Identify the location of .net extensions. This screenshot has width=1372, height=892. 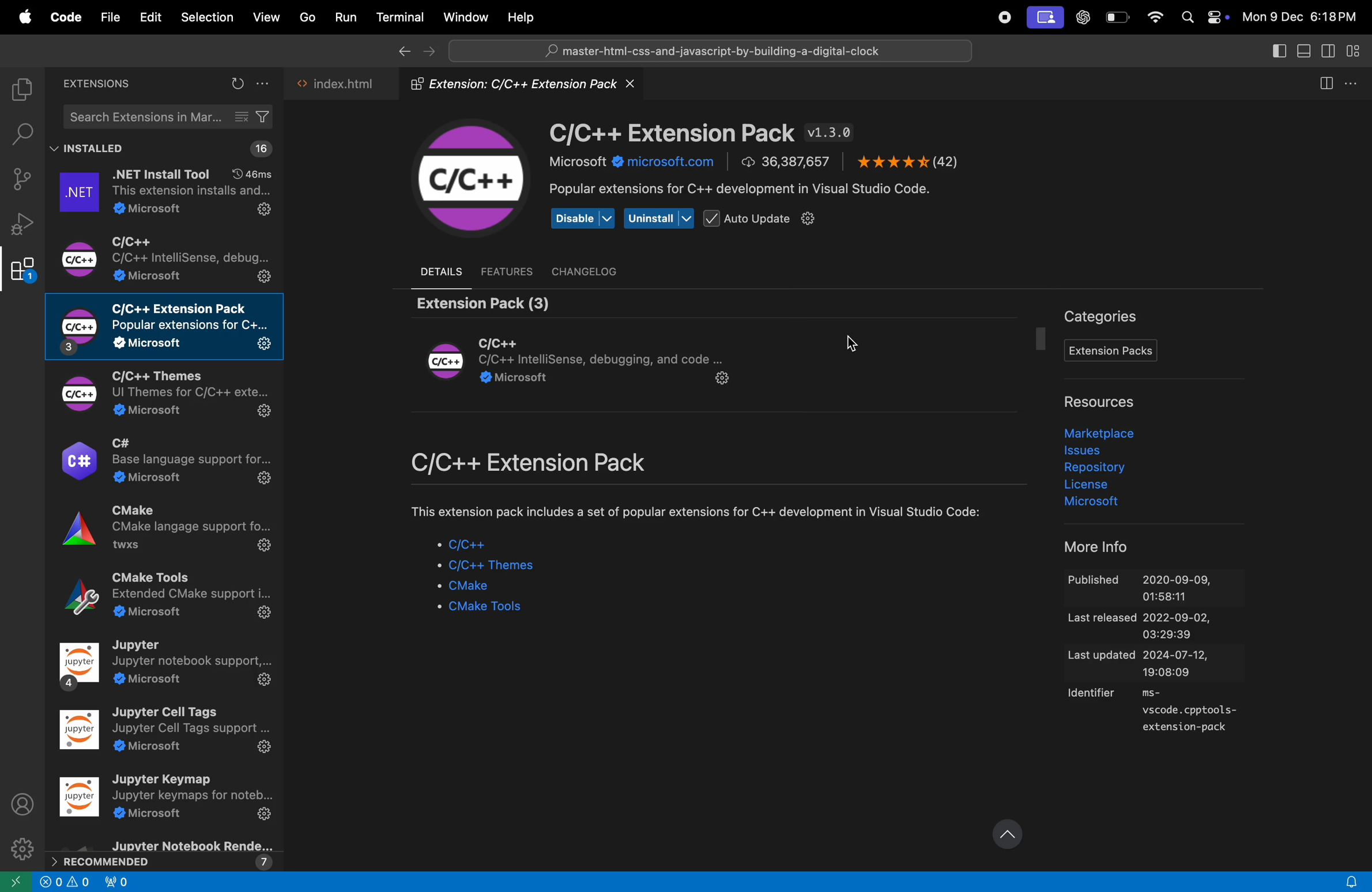
(163, 194).